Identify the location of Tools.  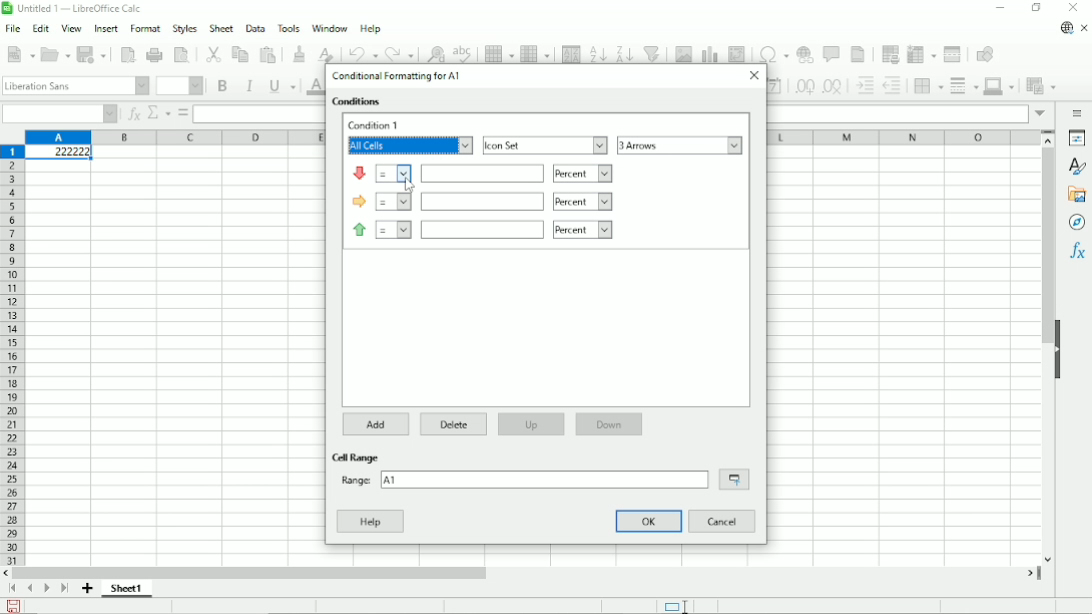
(287, 27).